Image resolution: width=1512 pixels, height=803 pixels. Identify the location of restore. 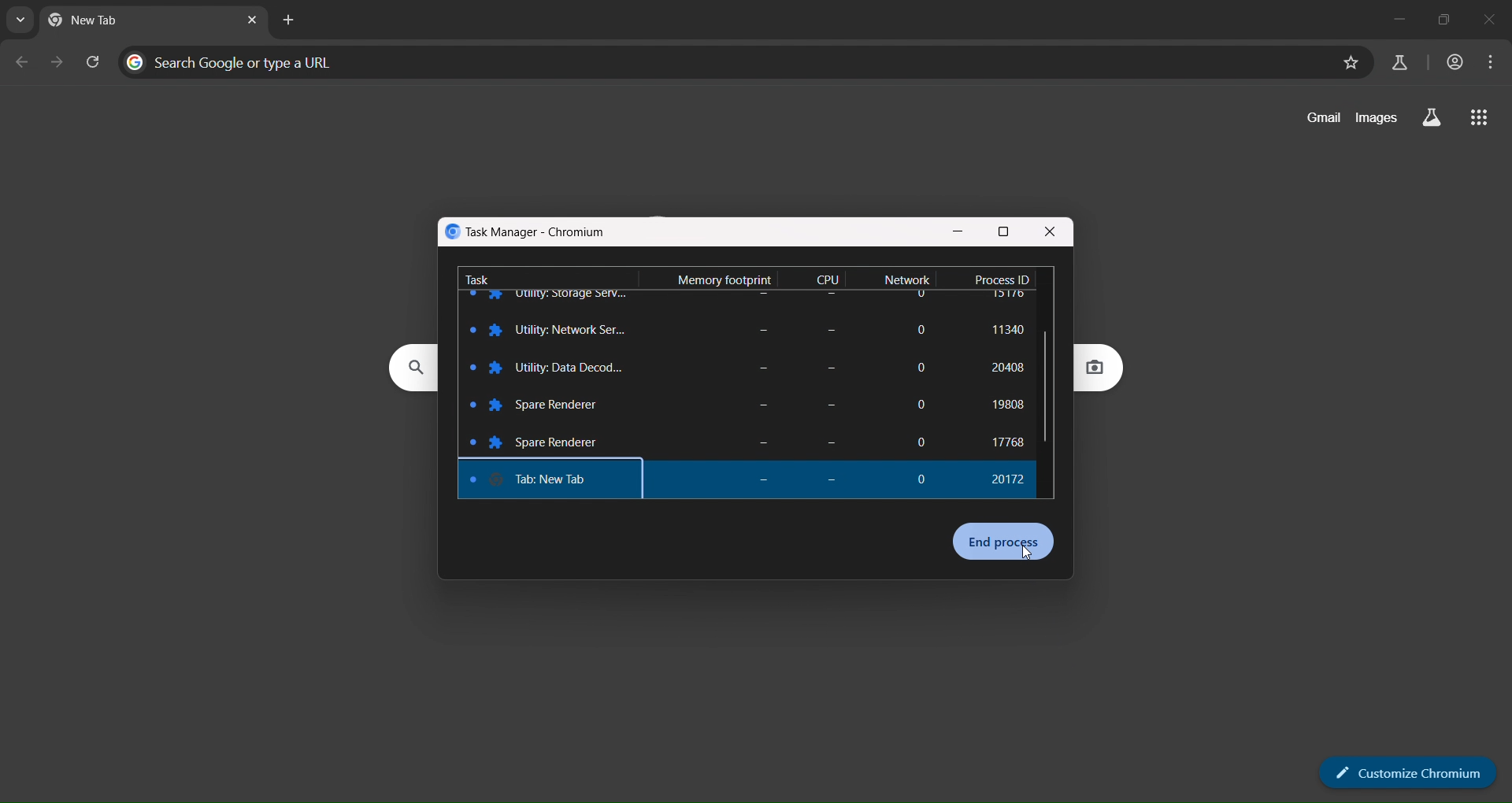
(1006, 231).